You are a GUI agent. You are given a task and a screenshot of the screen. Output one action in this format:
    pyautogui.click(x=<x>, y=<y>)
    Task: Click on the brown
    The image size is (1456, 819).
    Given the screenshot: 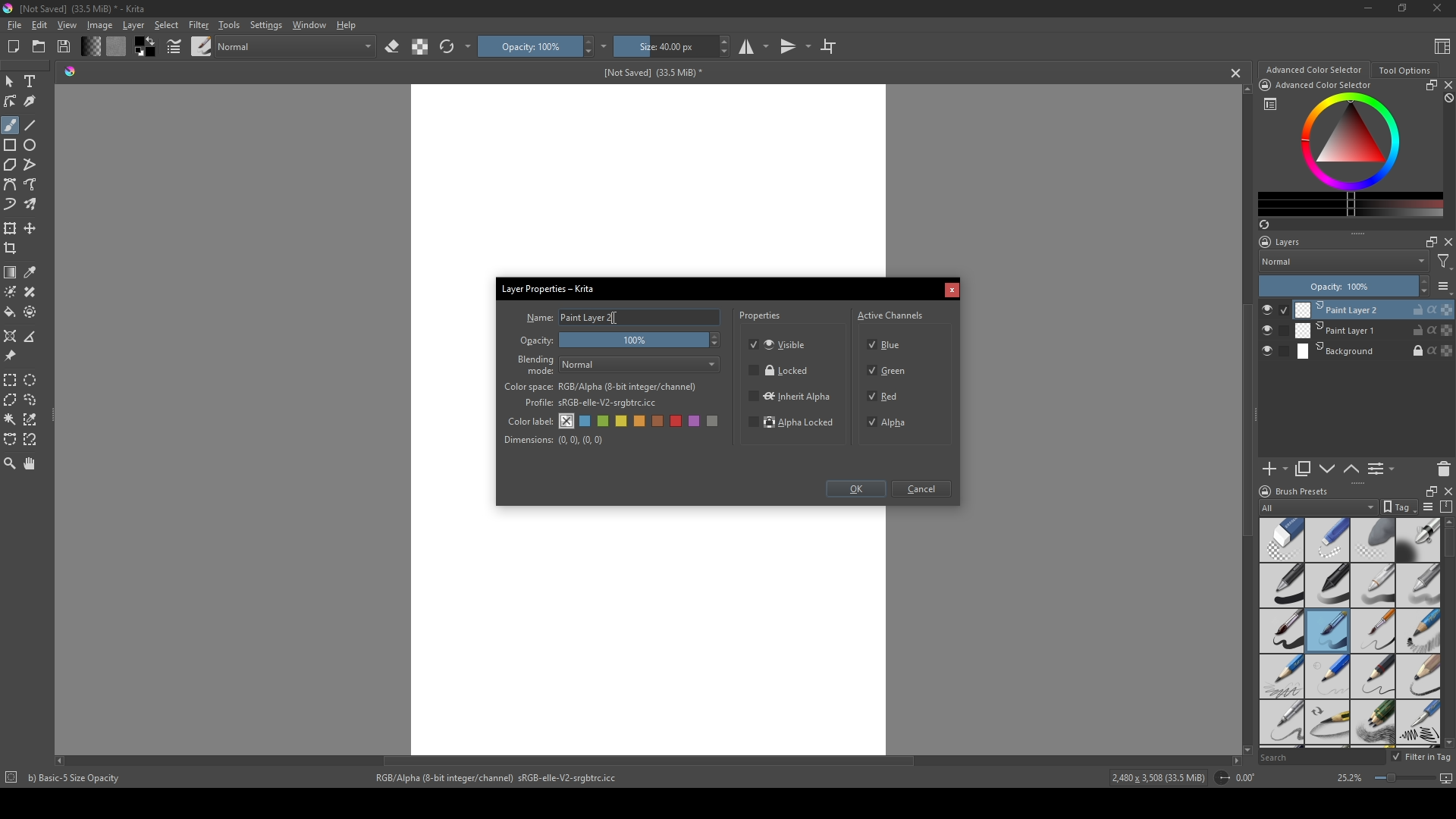 What is the action you would take?
    pyautogui.click(x=660, y=421)
    